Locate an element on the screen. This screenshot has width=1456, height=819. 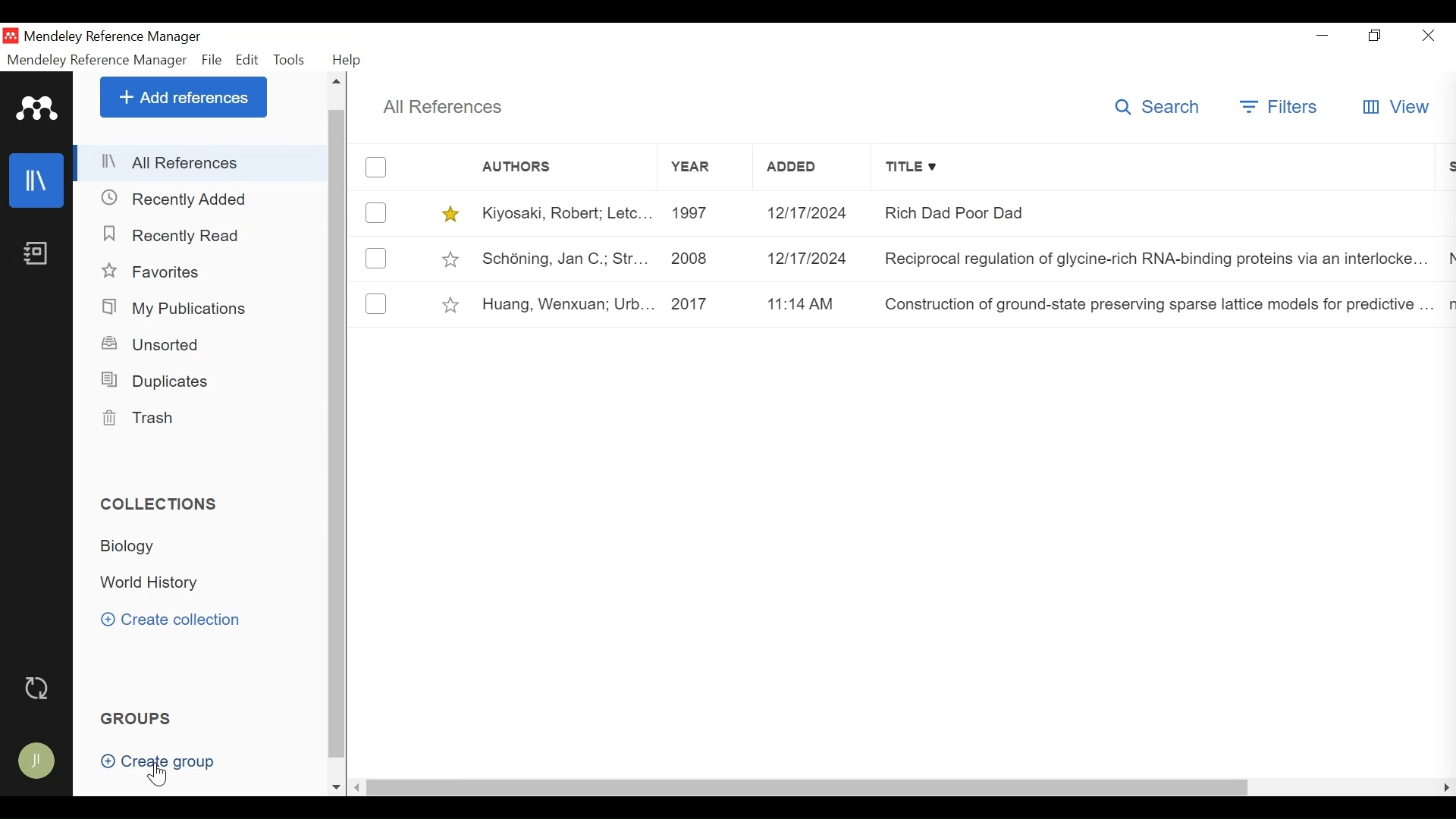
(un)select is located at coordinates (376, 304).